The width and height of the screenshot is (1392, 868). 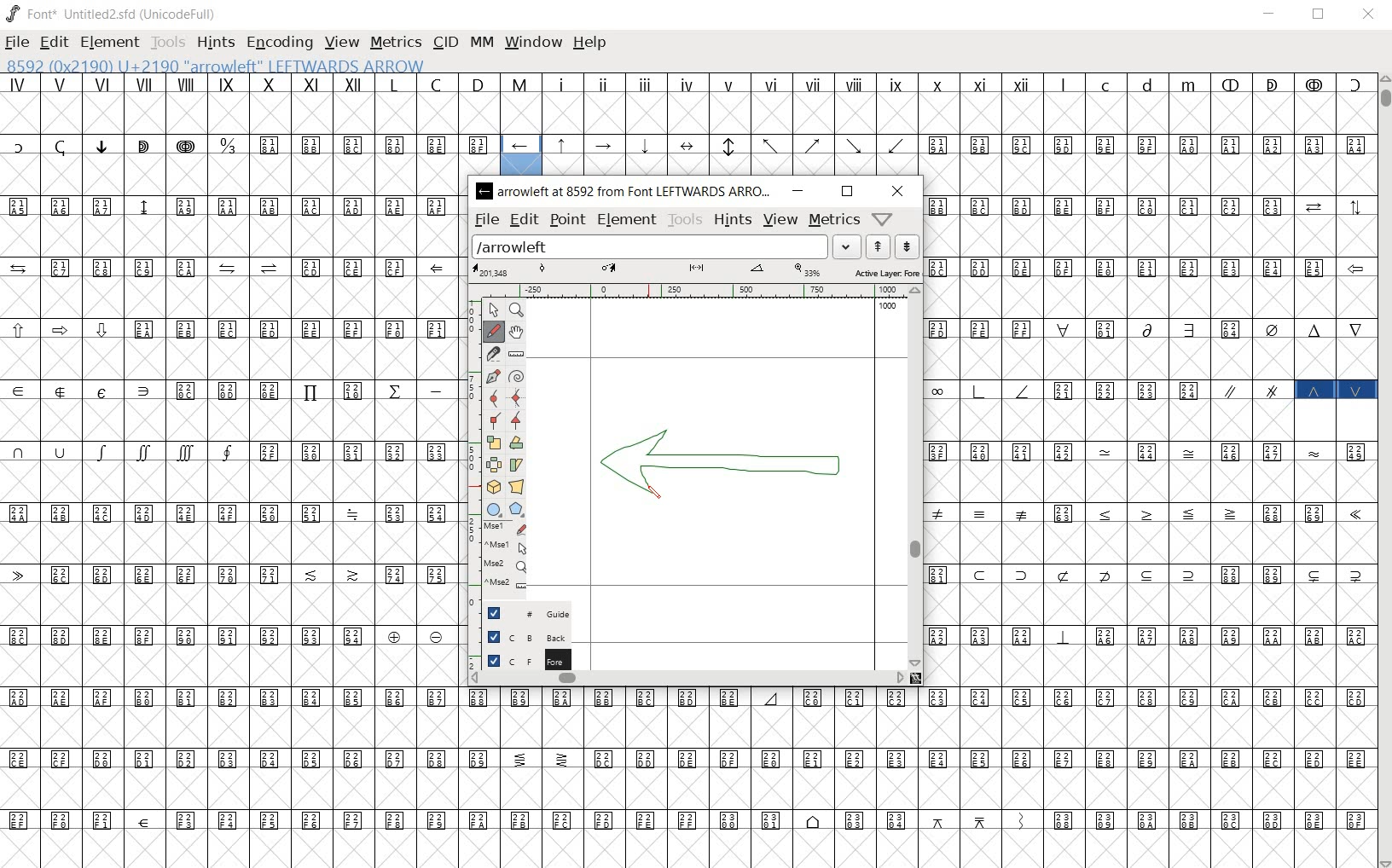 I want to click on load word list, so click(x=667, y=246).